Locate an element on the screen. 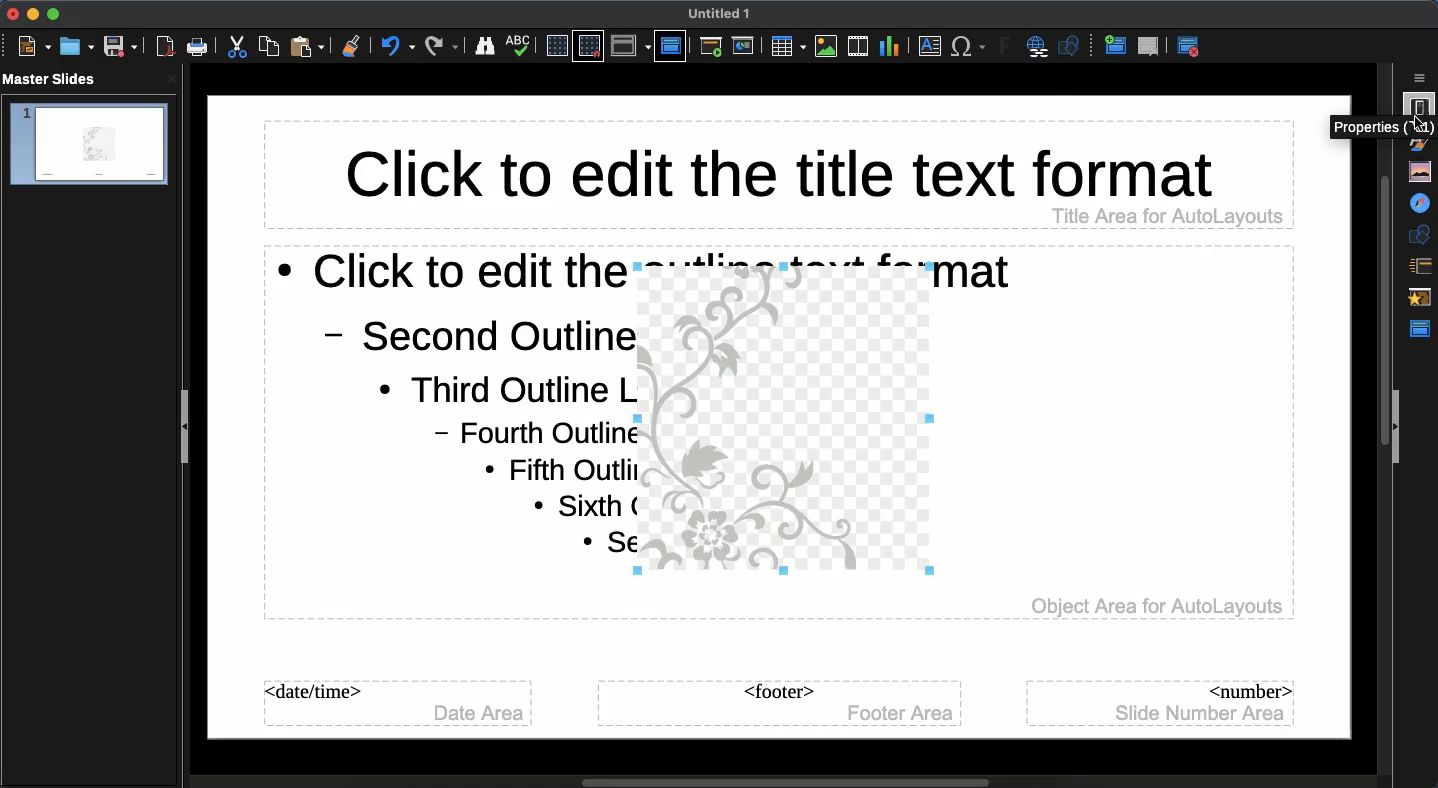  cursor is located at coordinates (1418, 124).